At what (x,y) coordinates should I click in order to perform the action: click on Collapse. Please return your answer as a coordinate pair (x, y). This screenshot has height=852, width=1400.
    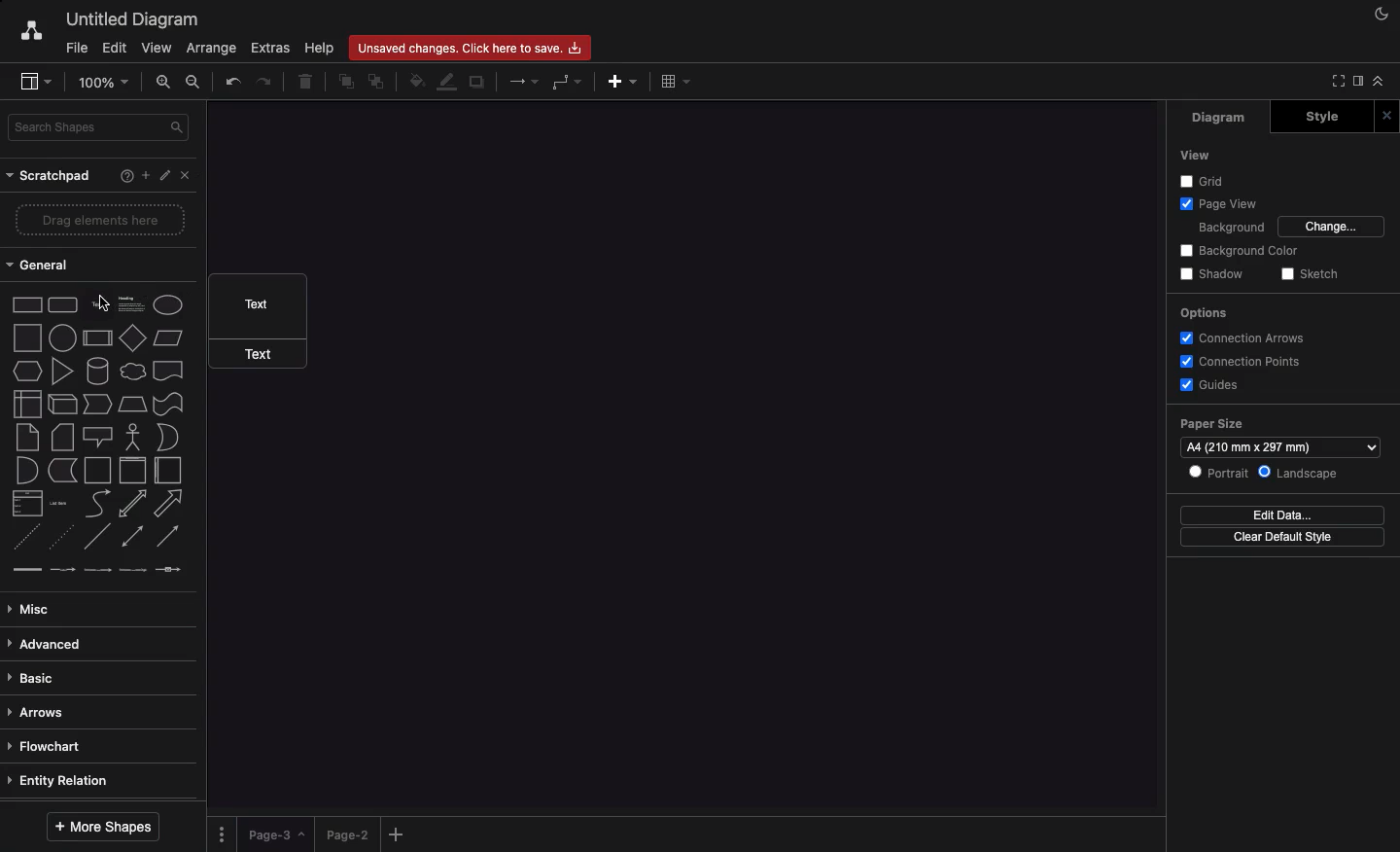
    Looking at the image, I should click on (1335, 82).